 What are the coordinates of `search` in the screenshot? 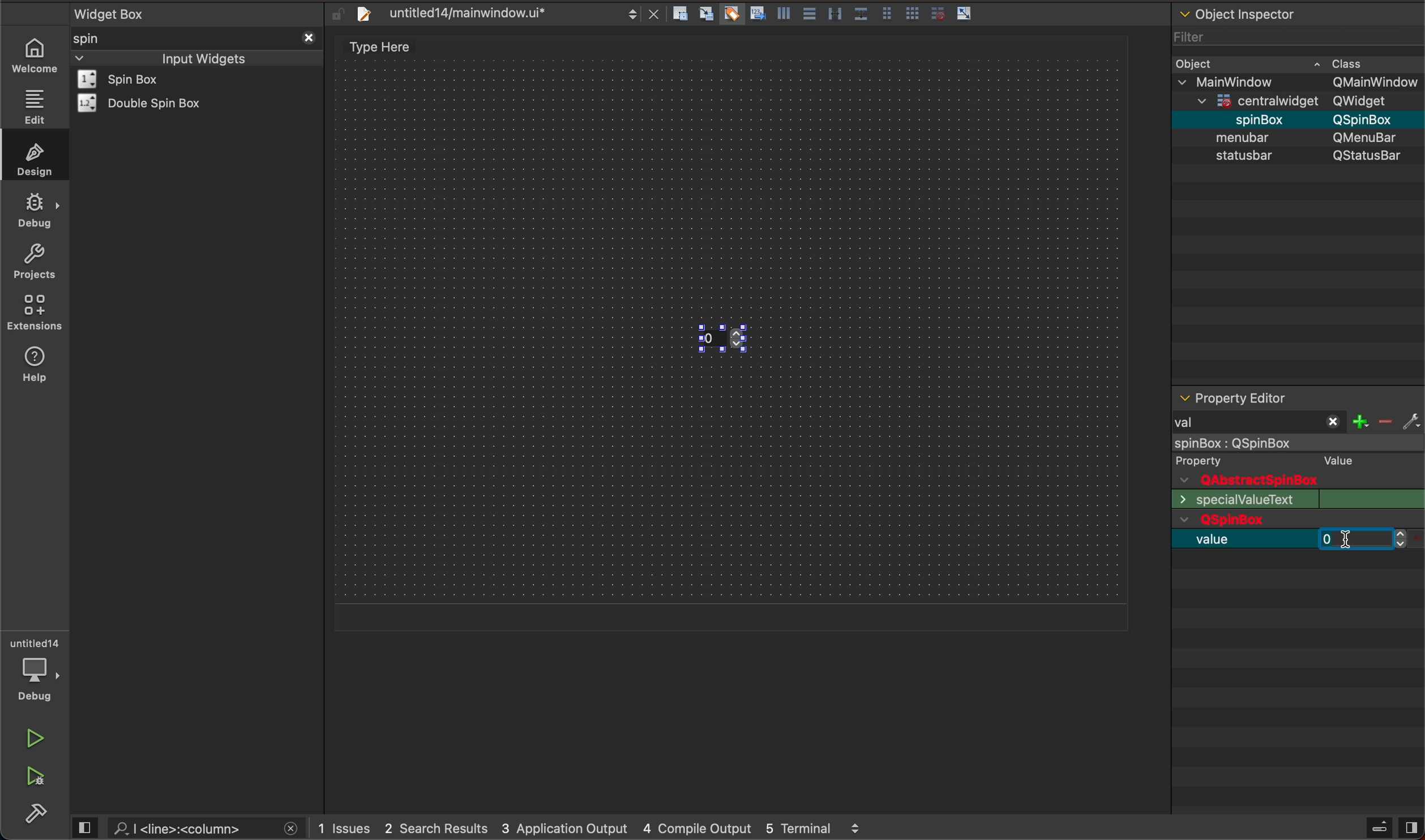 It's located at (191, 828).